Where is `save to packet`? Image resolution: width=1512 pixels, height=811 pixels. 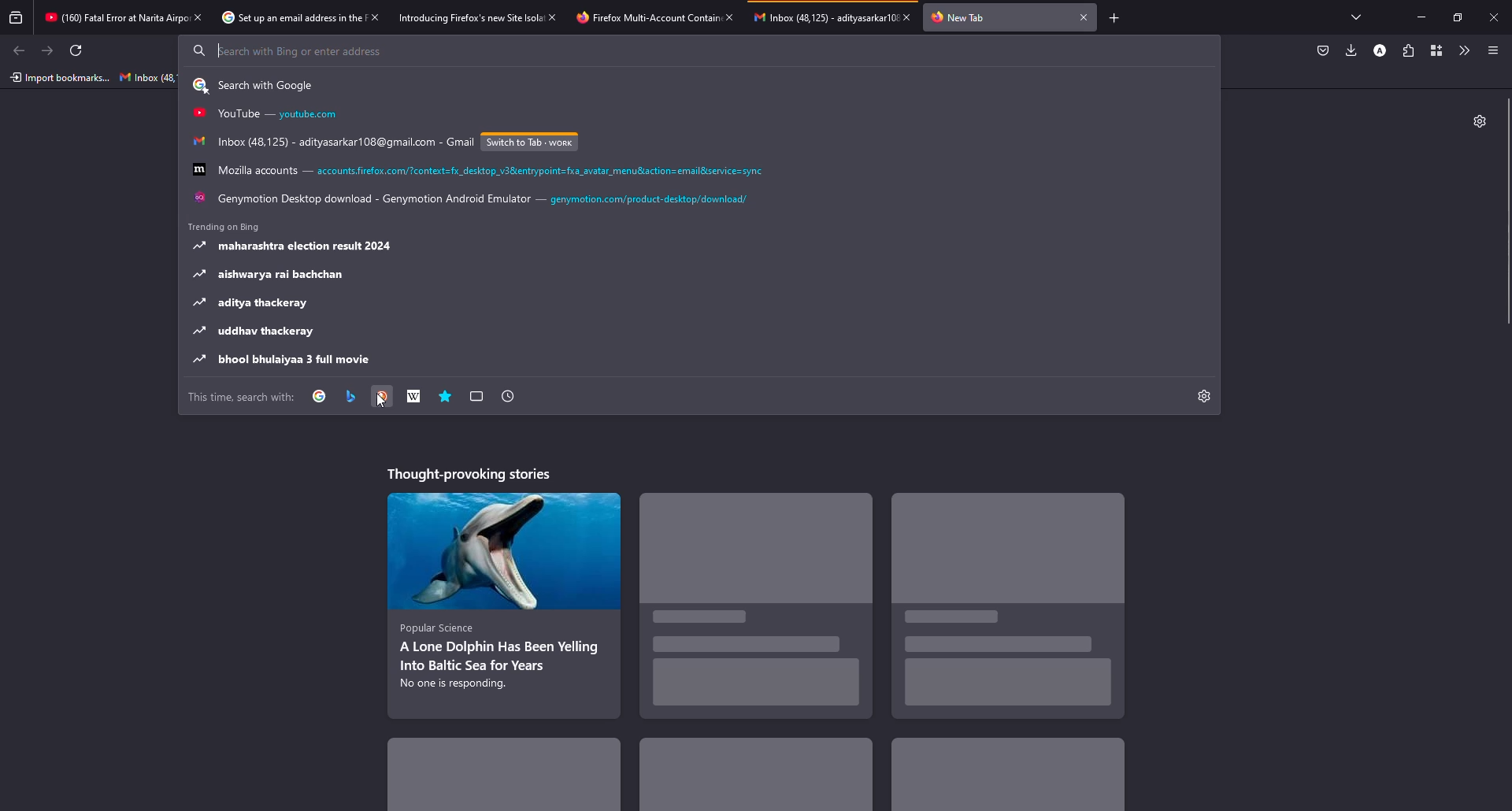
save to packet is located at coordinates (1321, 51).